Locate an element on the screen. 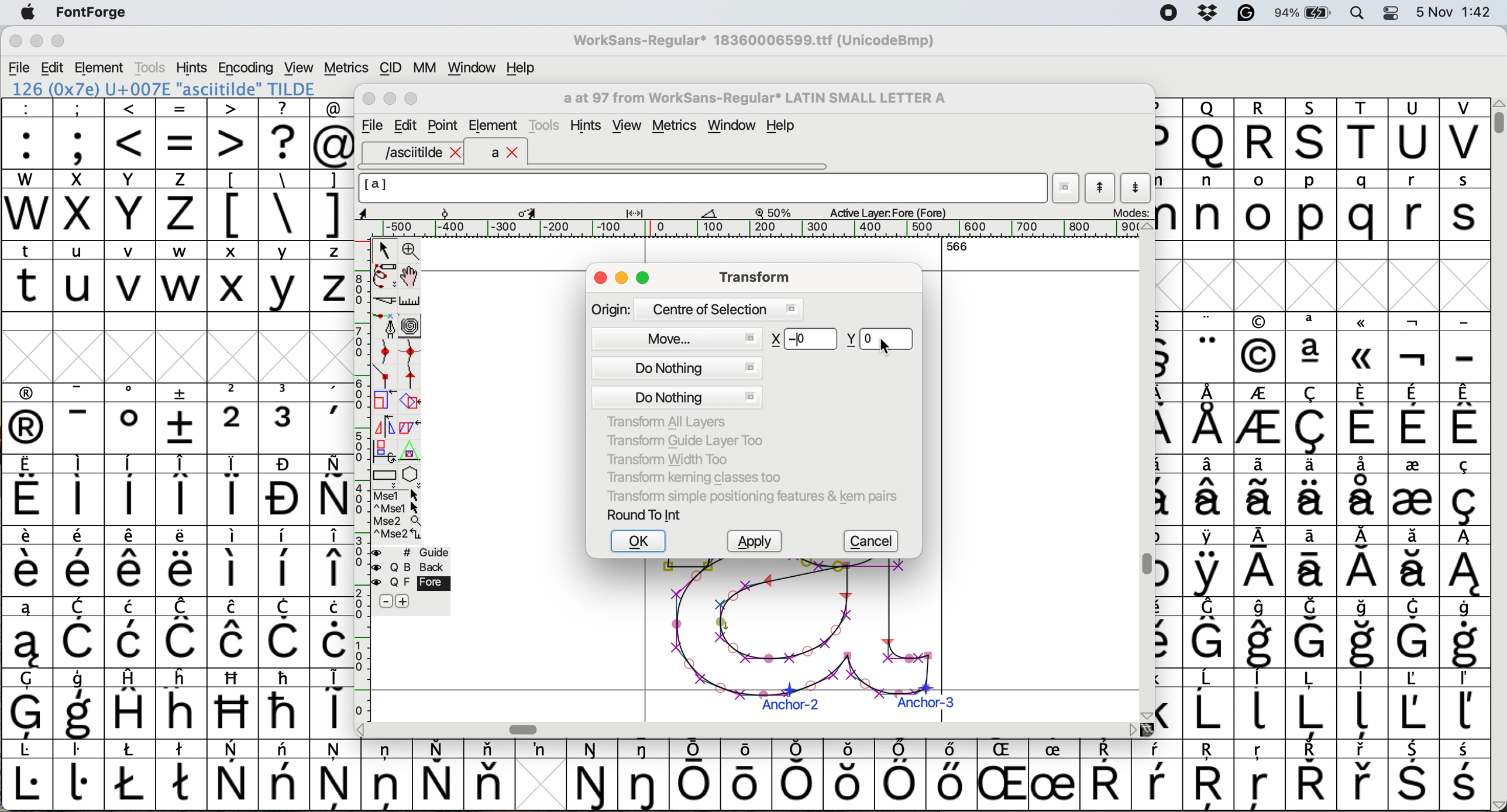  @ is located at coordinates (333, 134).